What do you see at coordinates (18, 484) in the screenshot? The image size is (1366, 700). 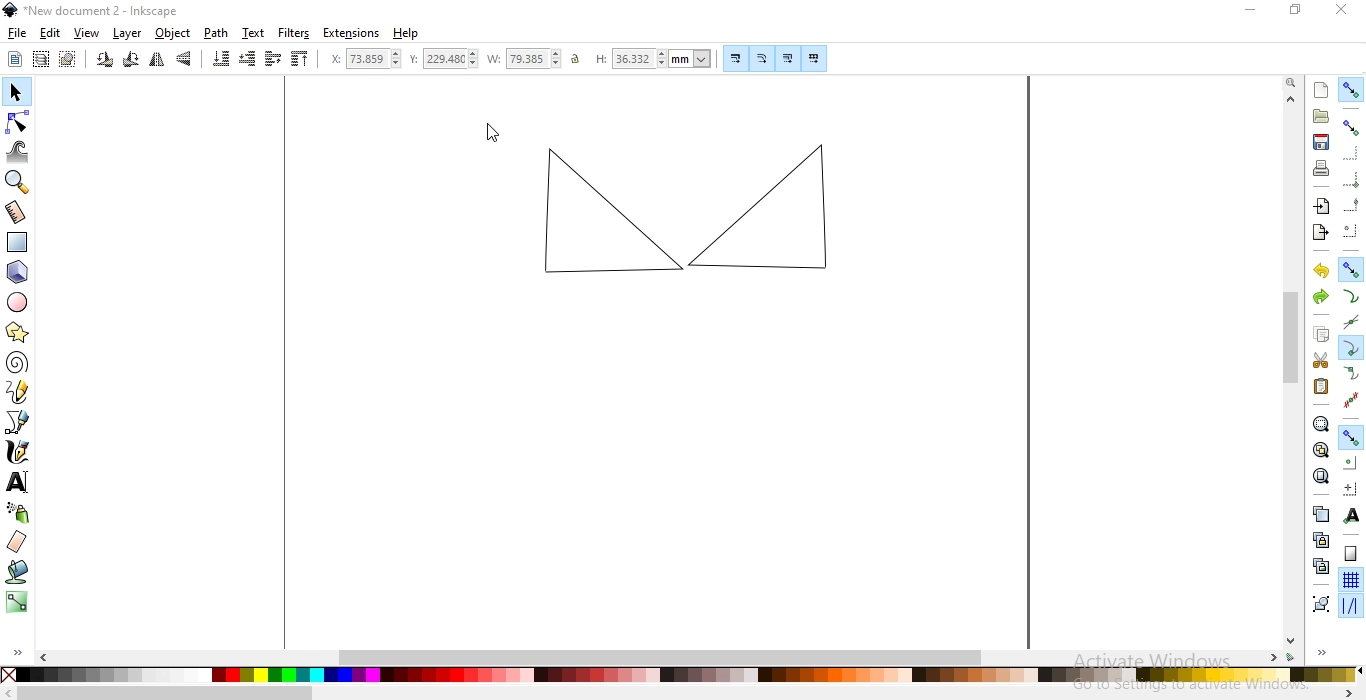 I see `create and edit text objects` at bounding box center [18, 484].